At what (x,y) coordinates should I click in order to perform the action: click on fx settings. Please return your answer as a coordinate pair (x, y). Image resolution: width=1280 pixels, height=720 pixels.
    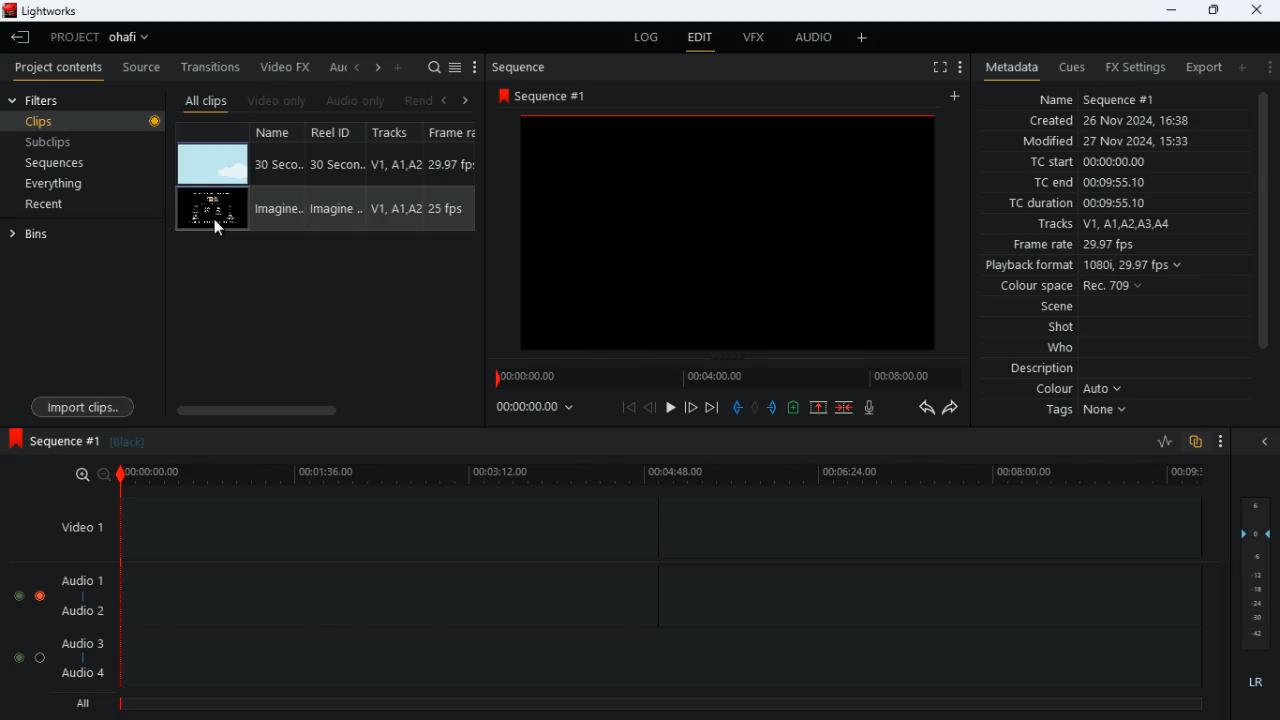
    Looking at the image, I should click on (1133, 65).